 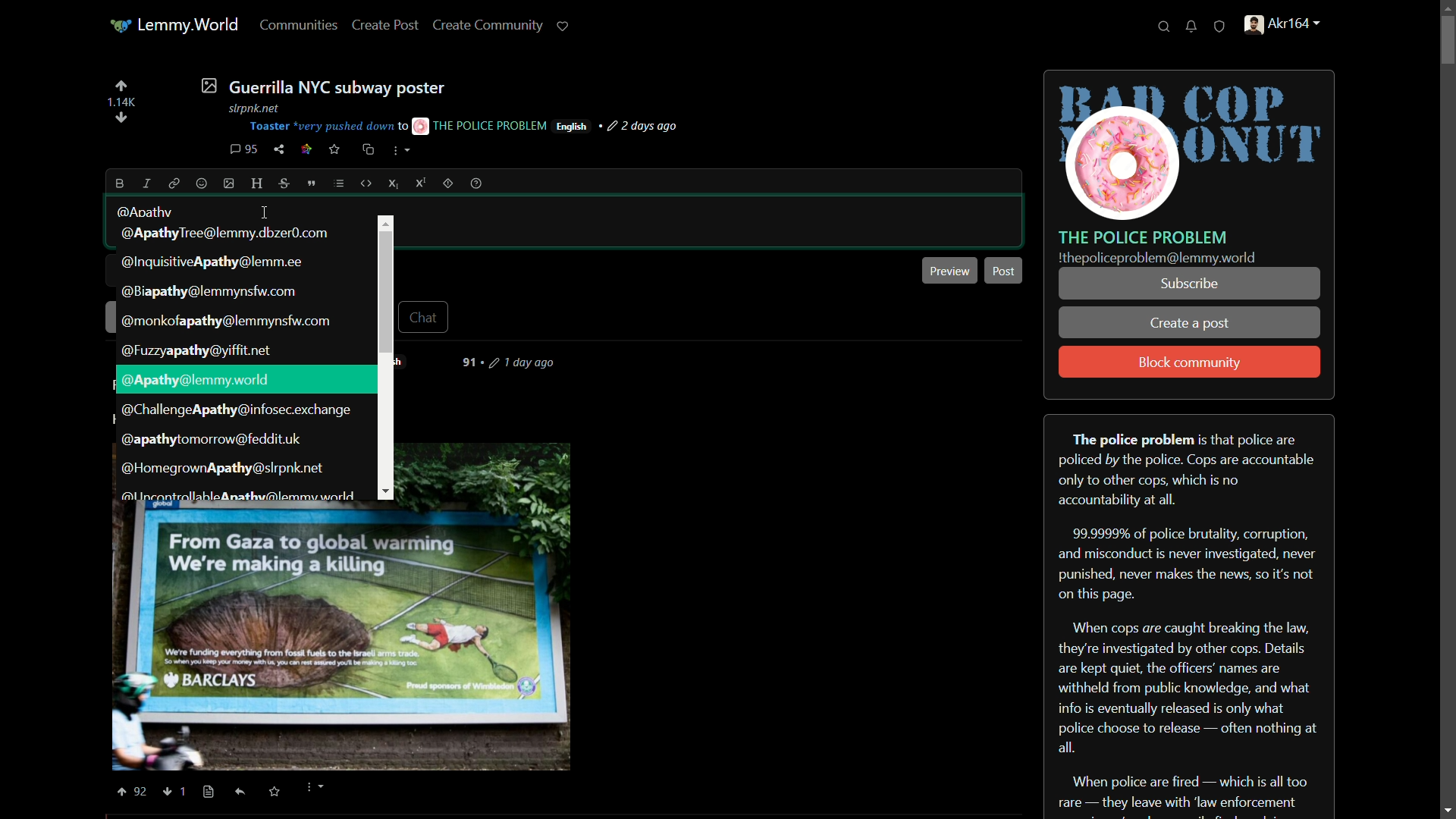 What do you see at coordinates (476, 184) in the screenshot?
I see `help` at bounding box center [476, 184].